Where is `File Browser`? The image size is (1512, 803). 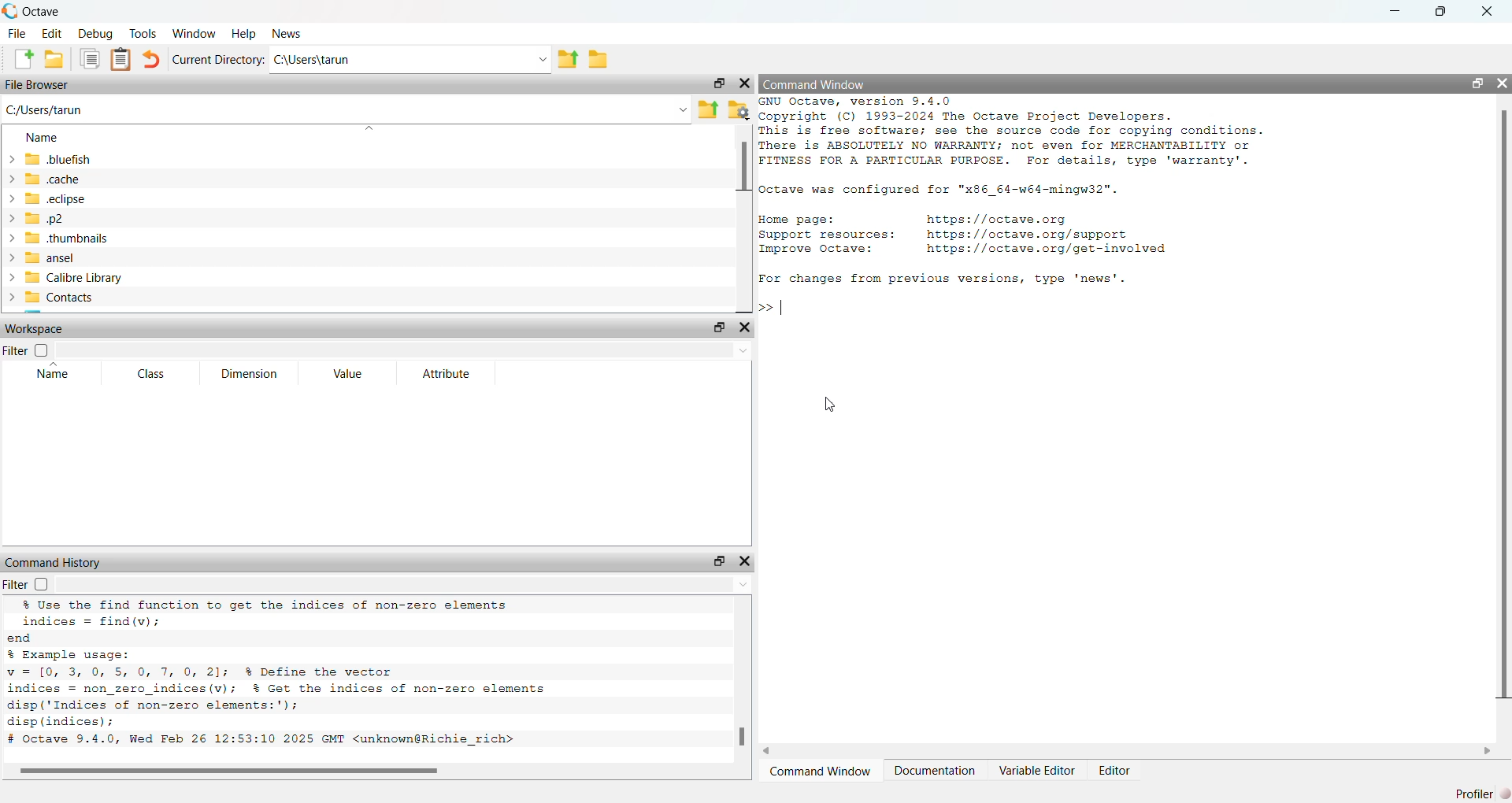
File Browser is located at coordinates (40, 86).